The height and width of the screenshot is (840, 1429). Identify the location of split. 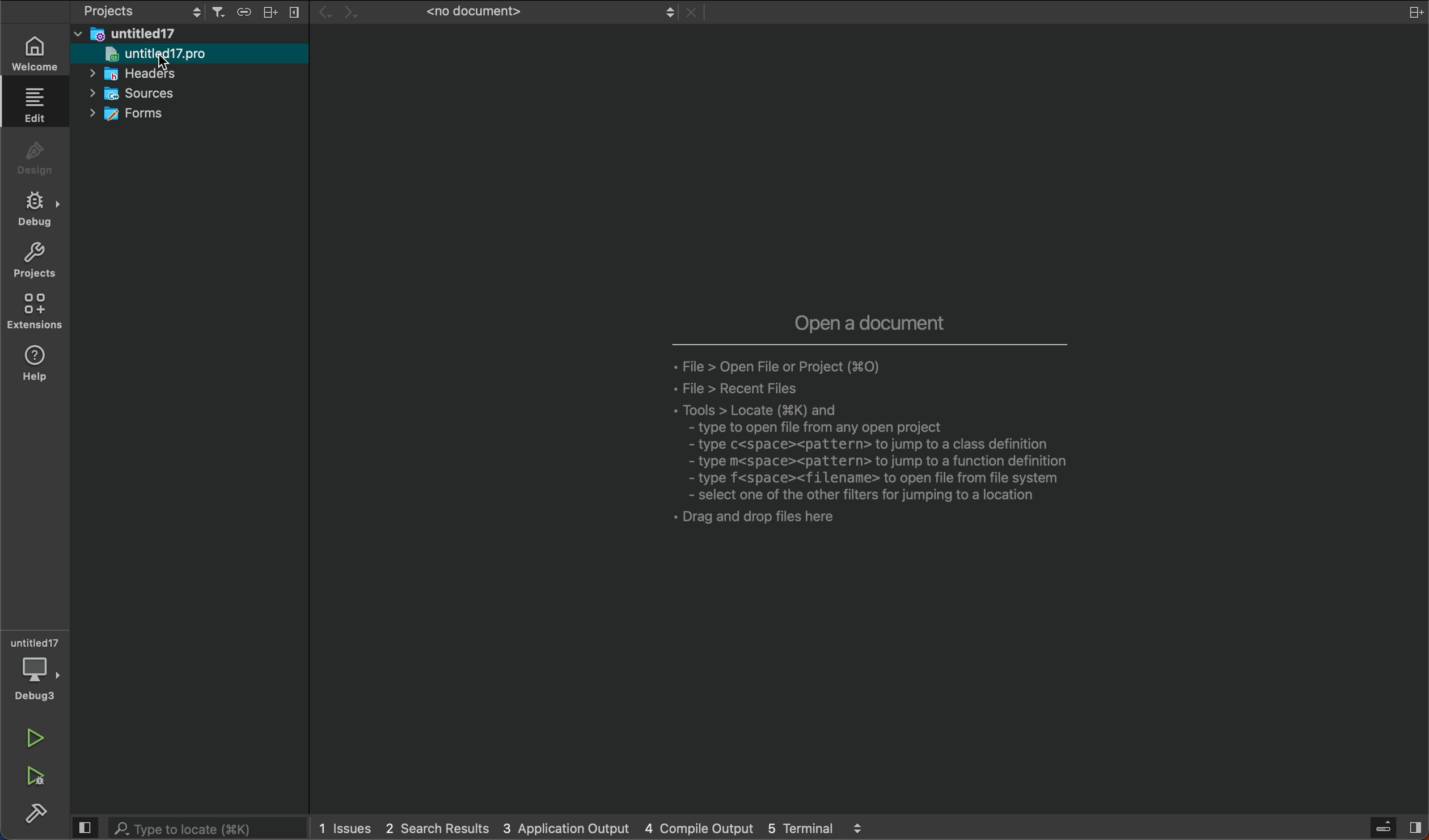
(1411, 13).